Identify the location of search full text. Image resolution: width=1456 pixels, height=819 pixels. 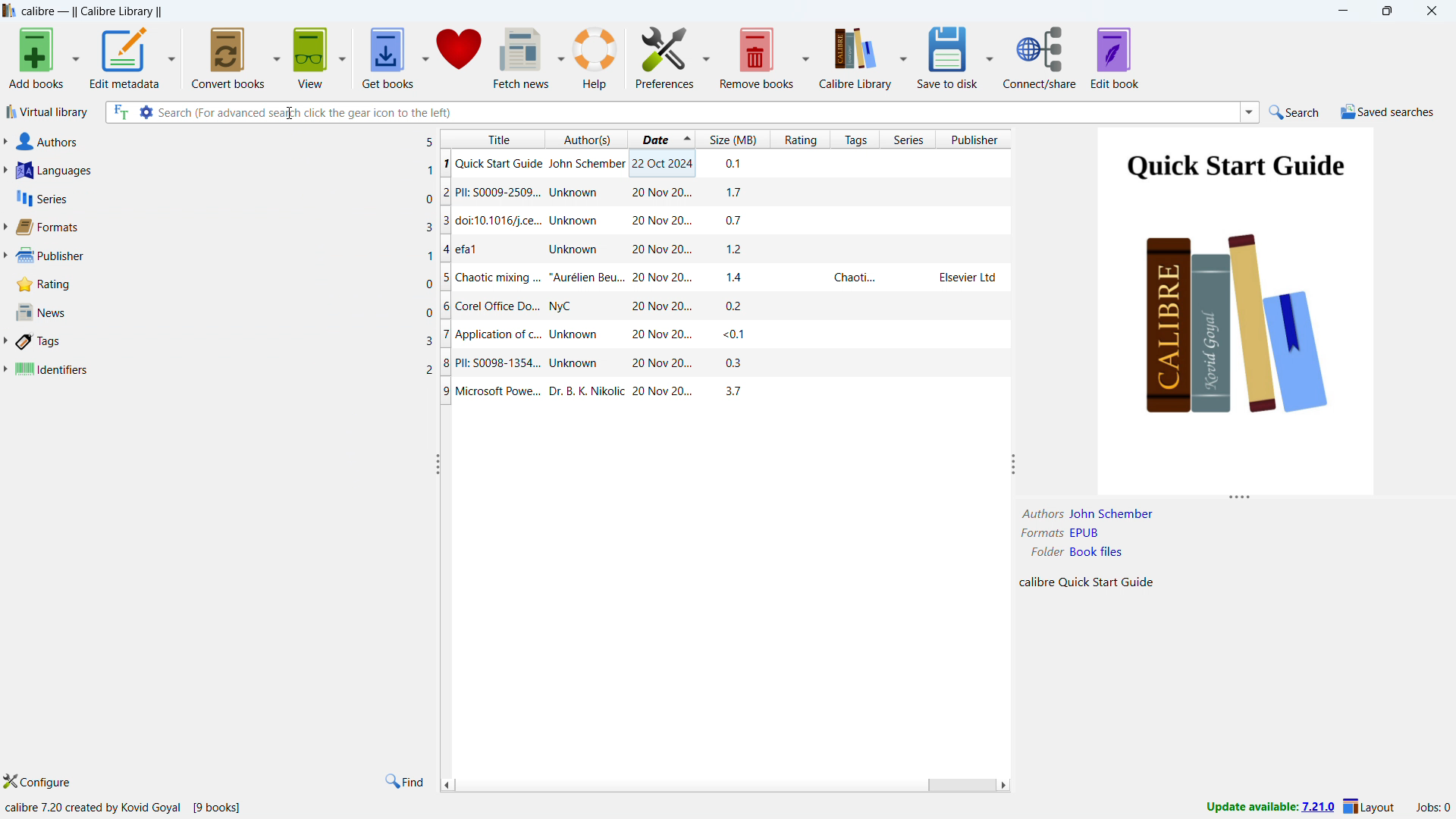
(120, 112).